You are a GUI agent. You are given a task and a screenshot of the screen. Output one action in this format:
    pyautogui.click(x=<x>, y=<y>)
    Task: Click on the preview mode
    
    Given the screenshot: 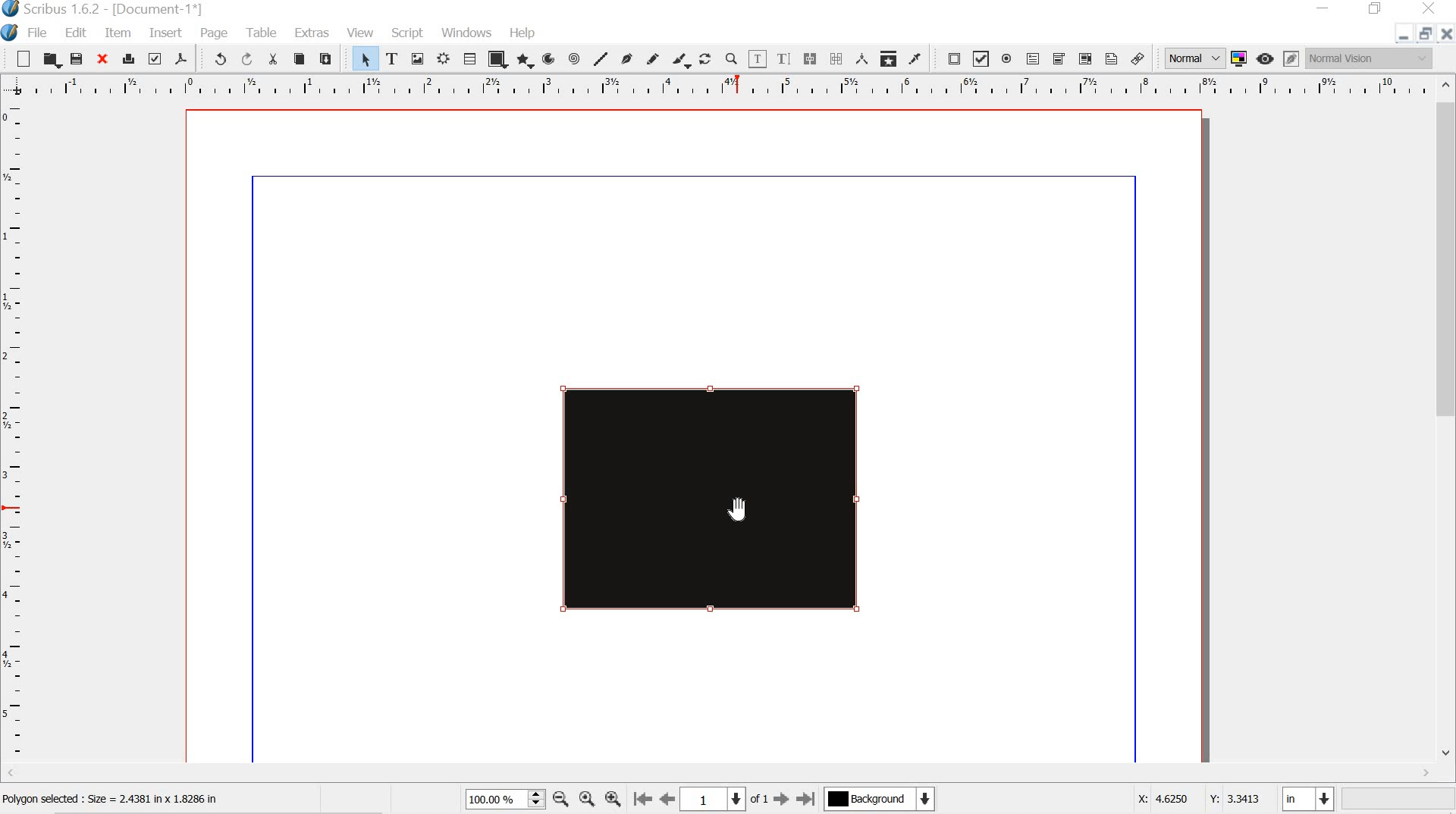 What is the action you would take?
    pyautogui.click(x=1263, y=58)
    